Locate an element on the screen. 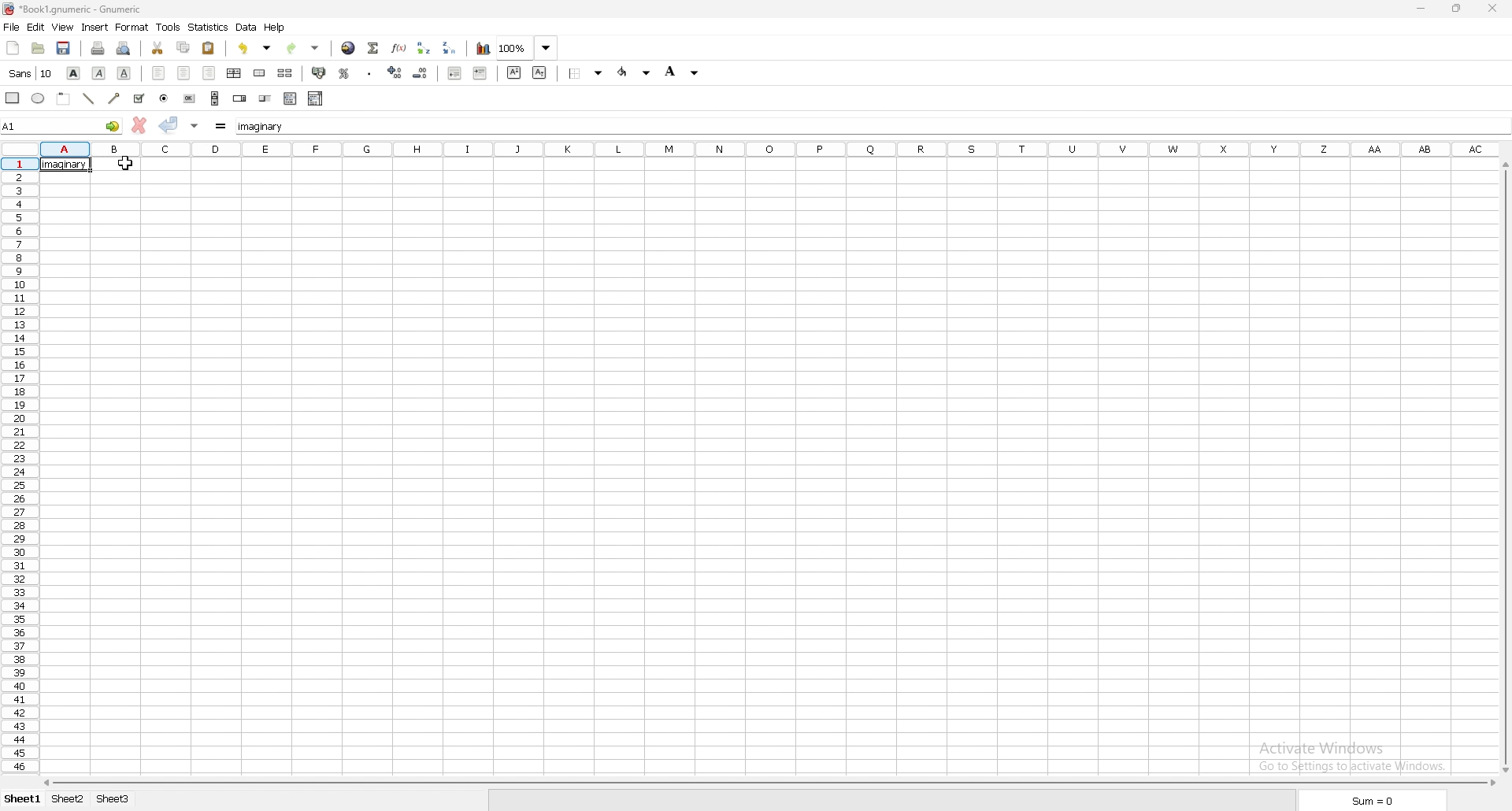 This screenshot has width=1512, height=811. hyperlink is located at coordinates (349, 48).